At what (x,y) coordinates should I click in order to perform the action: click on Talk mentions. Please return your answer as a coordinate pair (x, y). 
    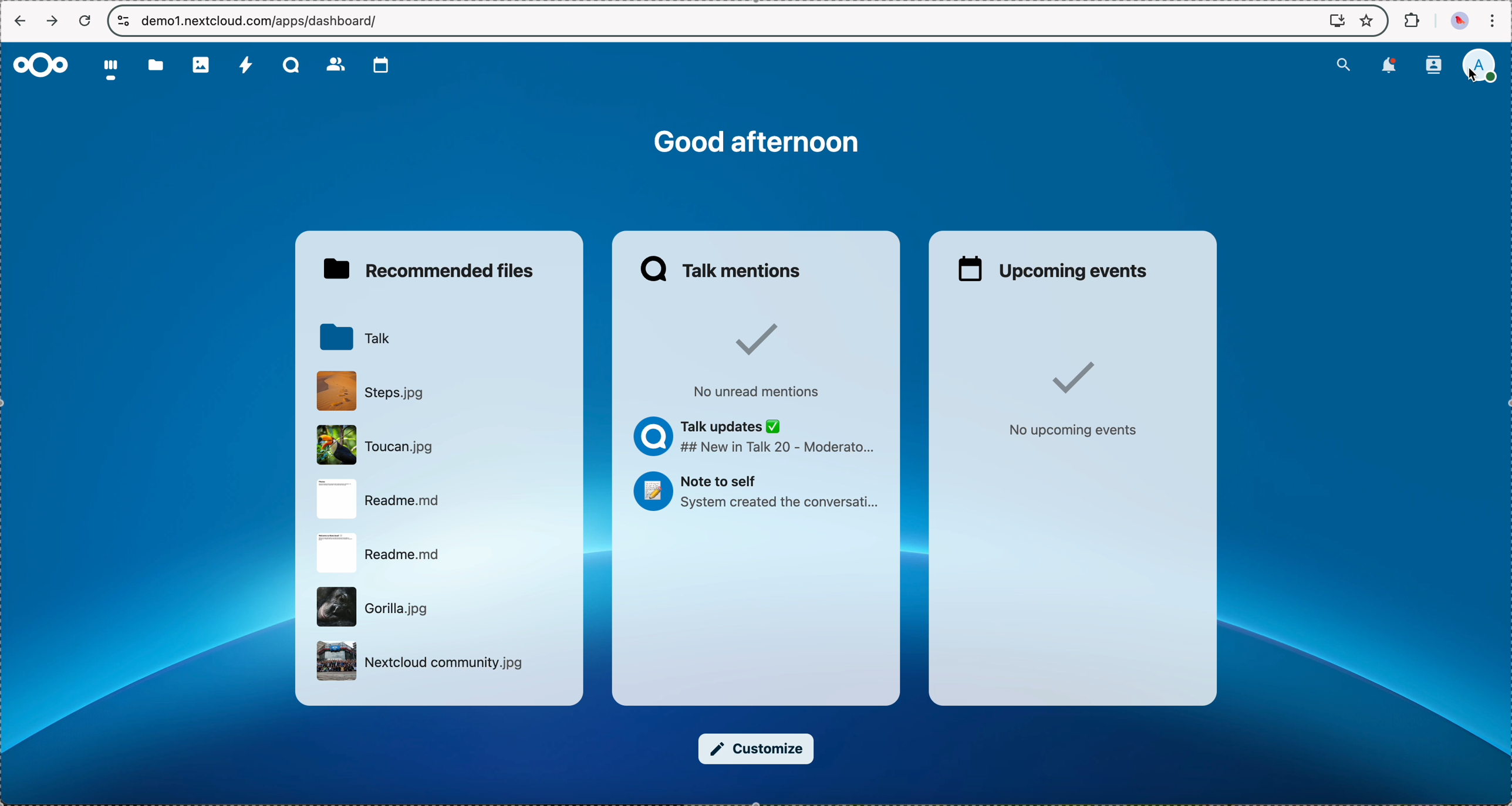
    Looking at the image, I should click on (724, 269).